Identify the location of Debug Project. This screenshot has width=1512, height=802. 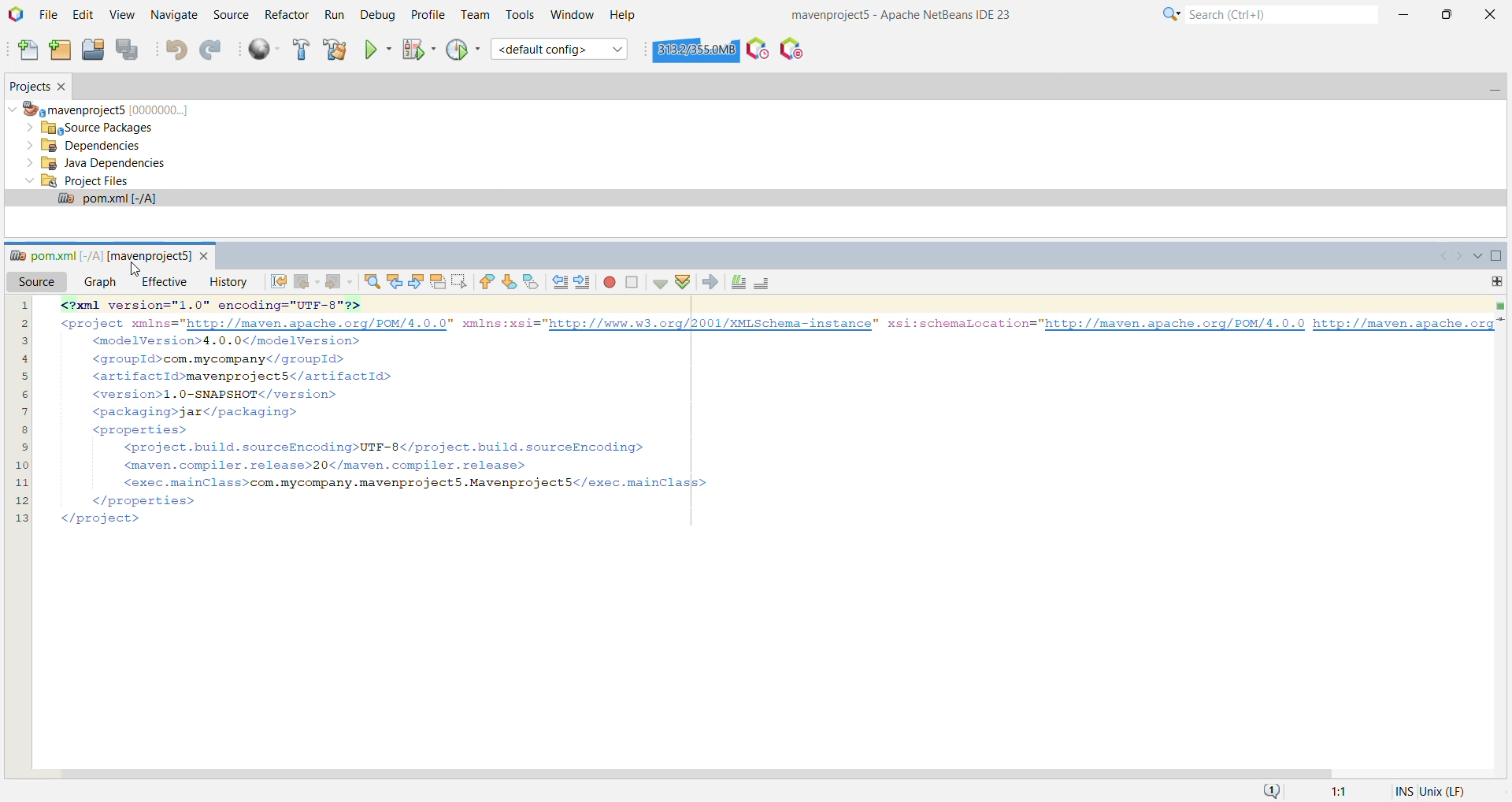
(417, 49).